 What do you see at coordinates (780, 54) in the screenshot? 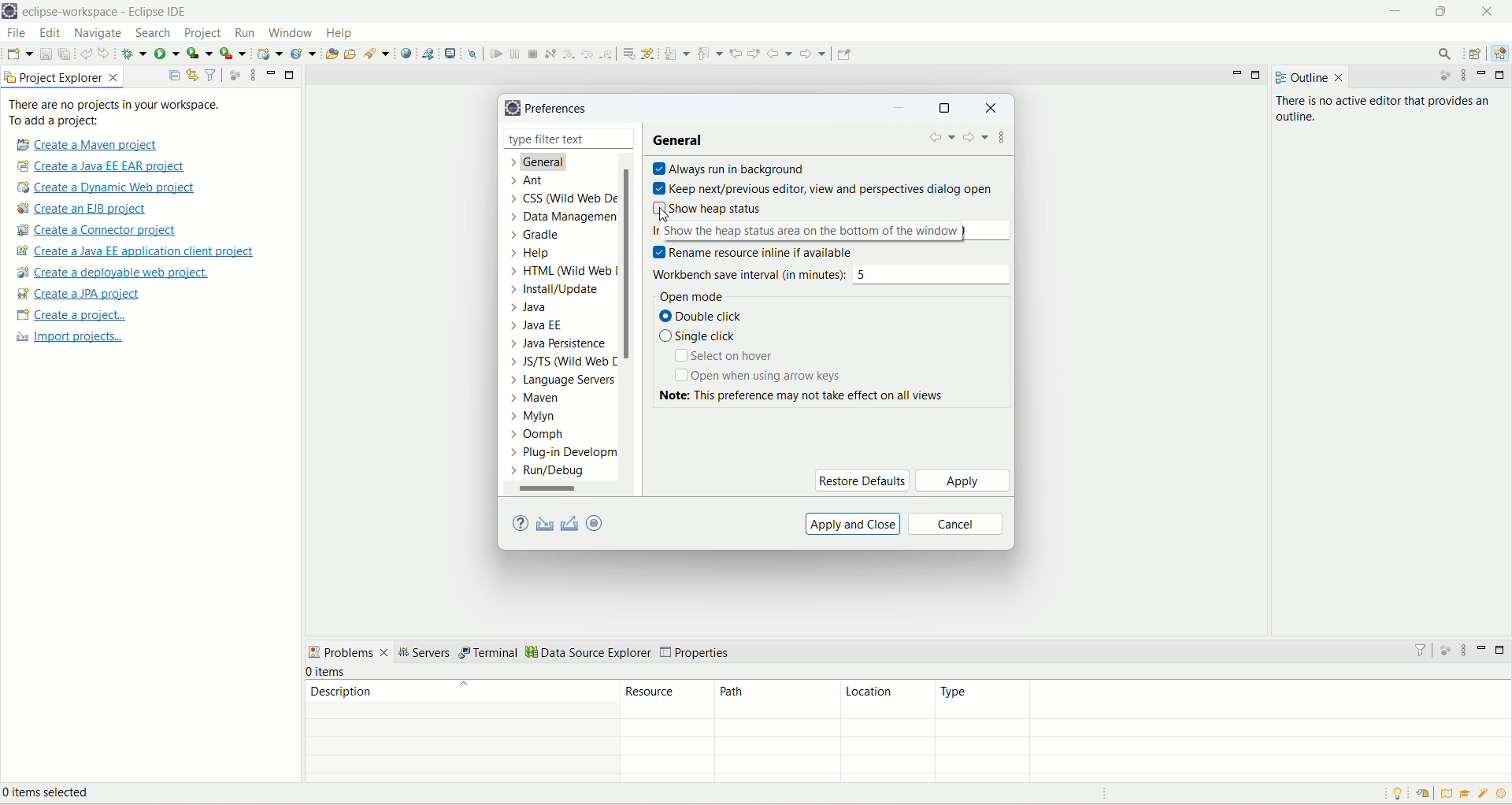
I see `back` at bounding box center [780, 54].